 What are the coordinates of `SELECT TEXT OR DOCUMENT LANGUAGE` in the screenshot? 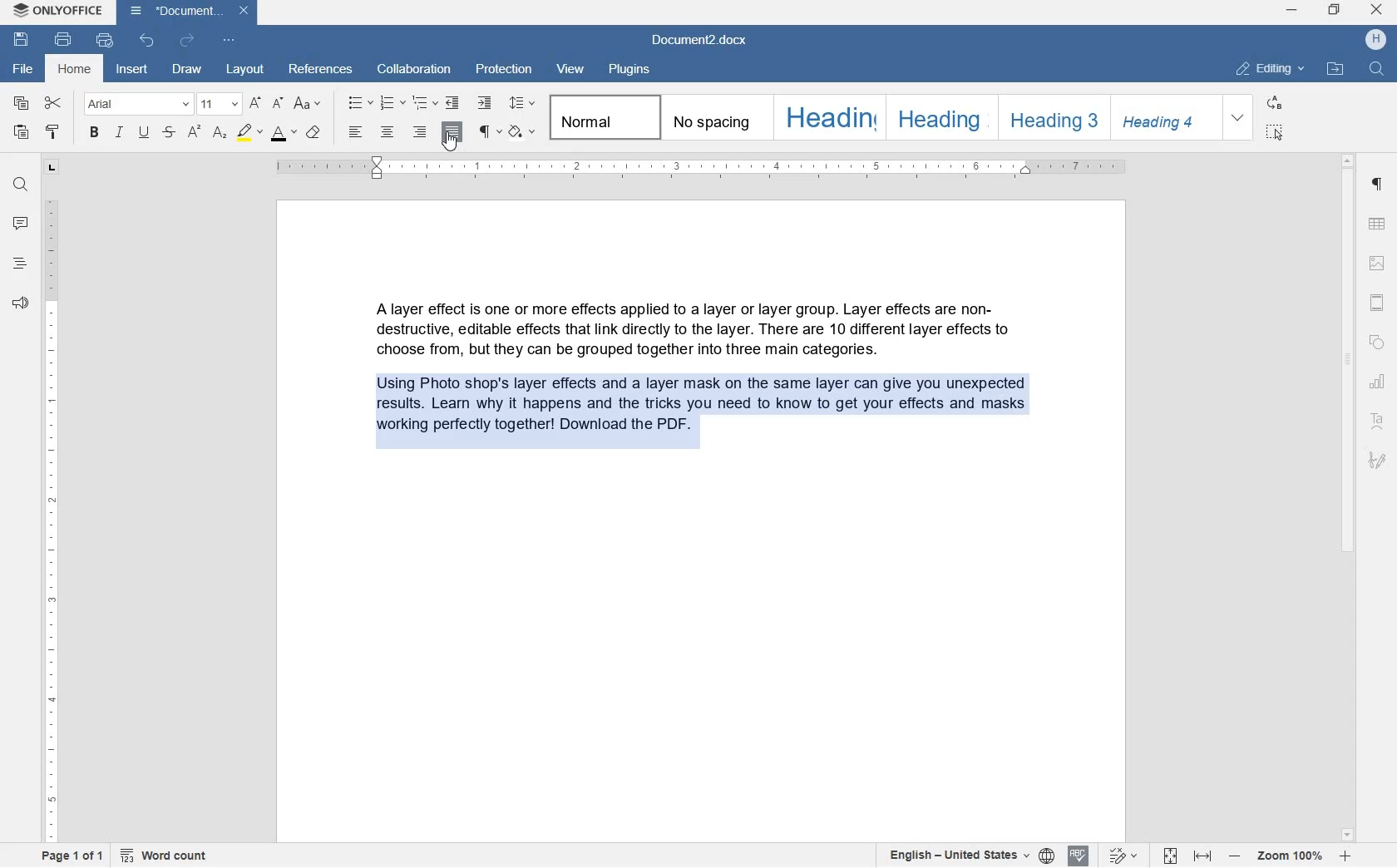 It's located at (971, 856).